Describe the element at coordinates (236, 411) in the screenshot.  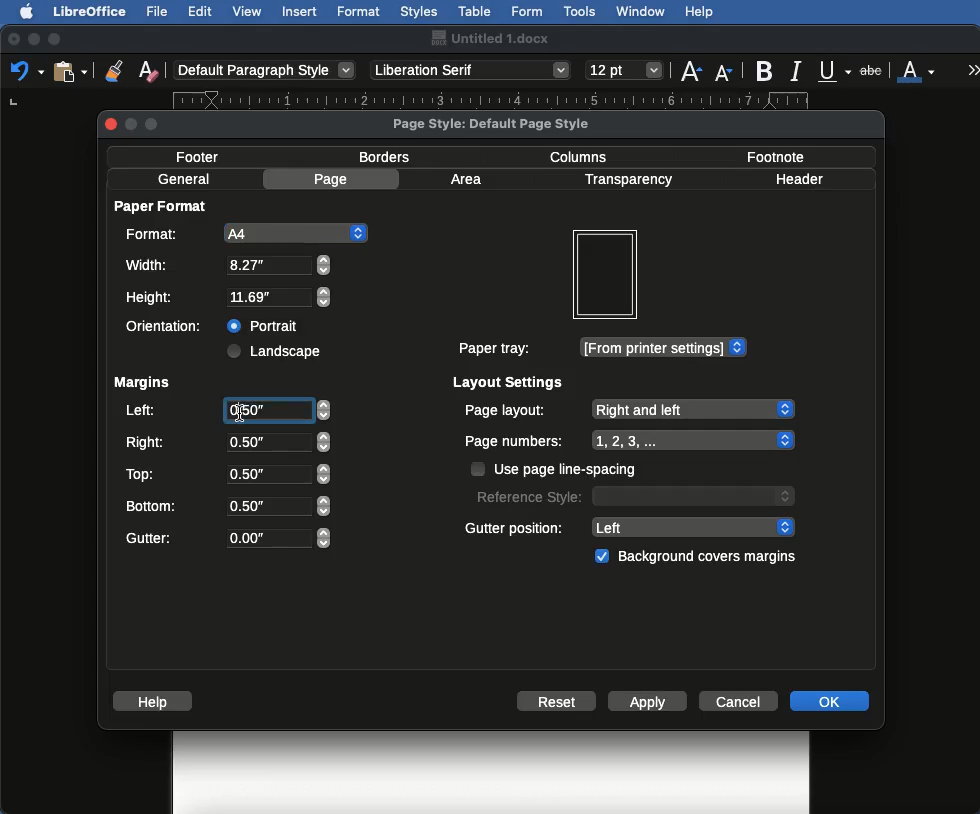
I see `` at that location.